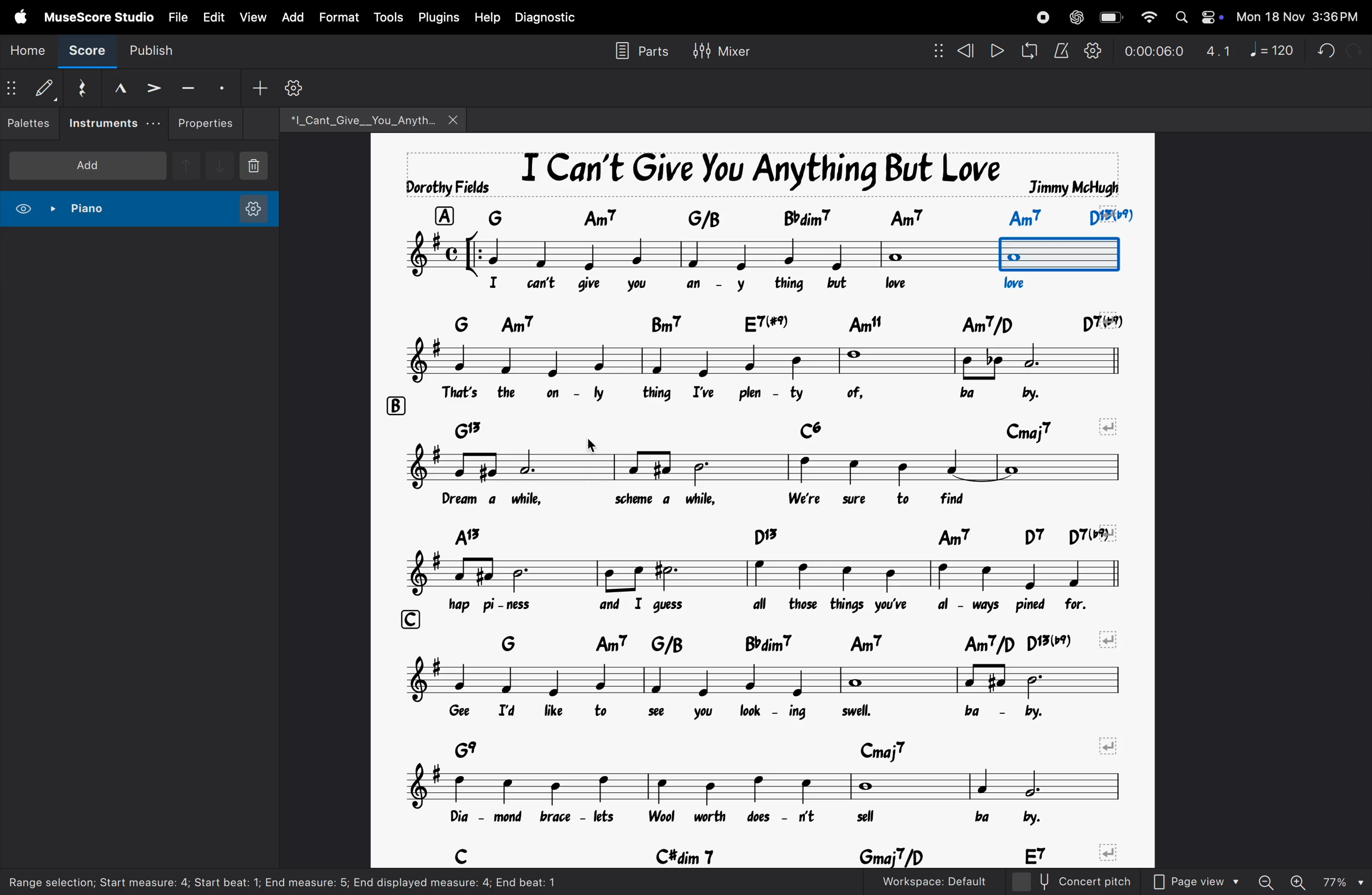 Image resolution: width=1372 pixels, height=895 pixels. What do you see at coordinates (783, 426) in the screenshot?
I see `chord symbols` at bounding box center [783, 426].